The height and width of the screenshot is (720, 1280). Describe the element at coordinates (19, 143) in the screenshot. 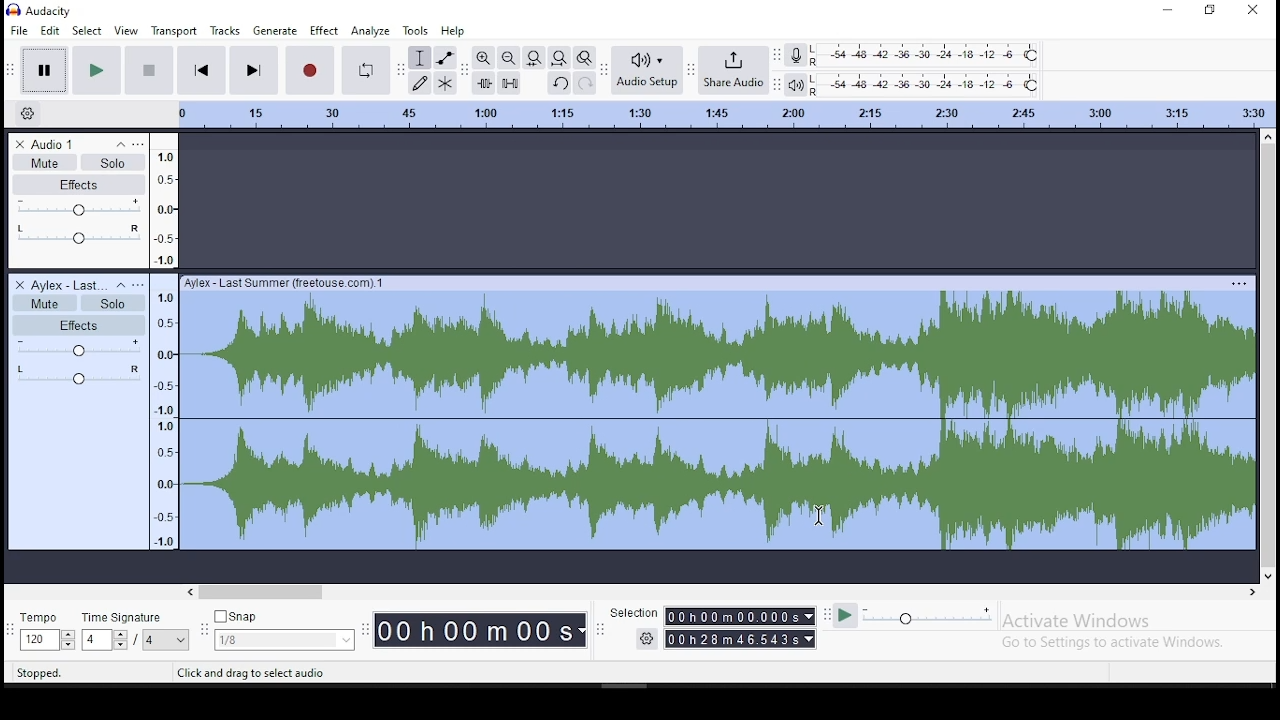

I see `delete track` at that location.